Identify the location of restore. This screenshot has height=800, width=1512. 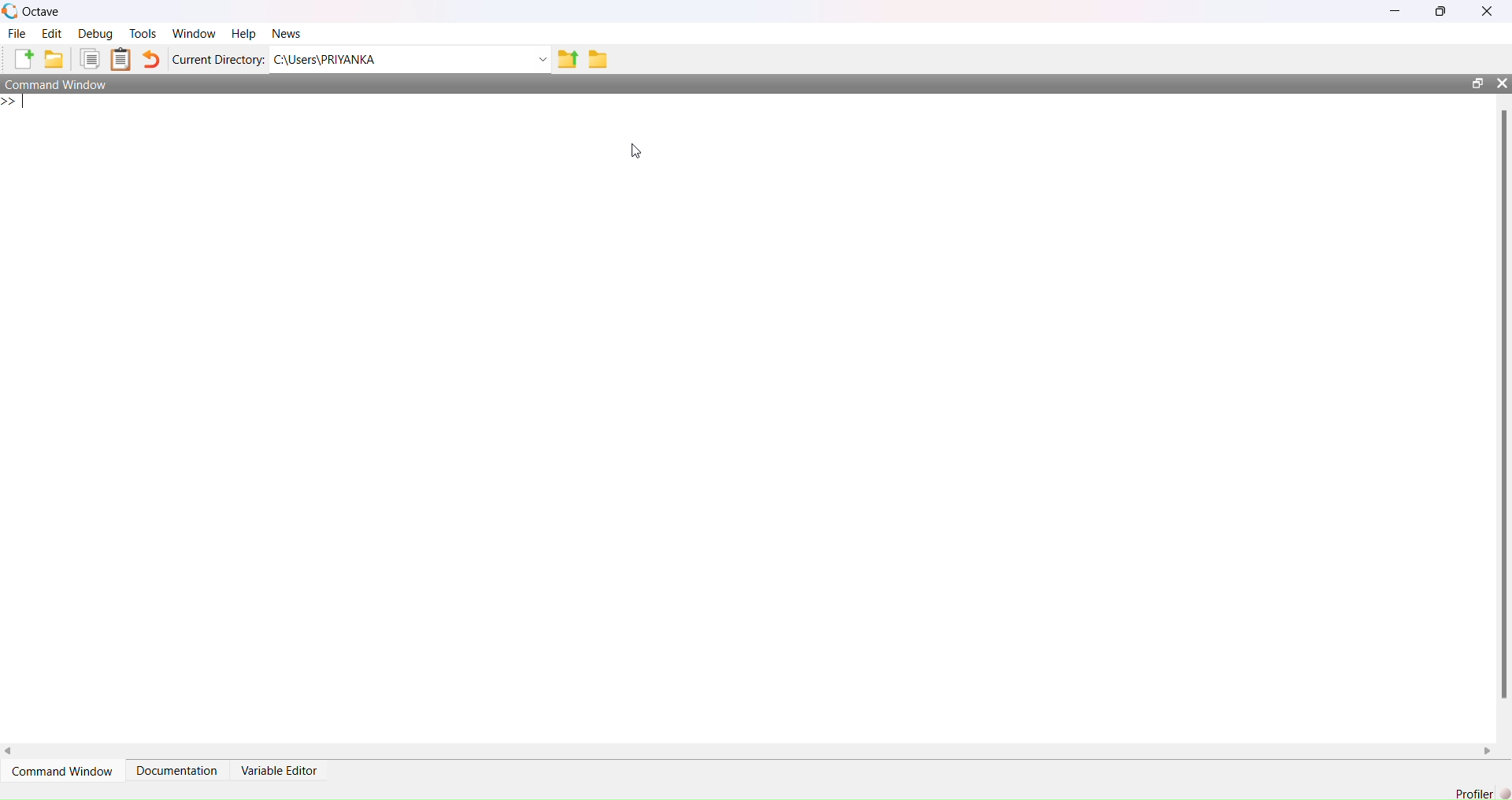
(1440, 11).